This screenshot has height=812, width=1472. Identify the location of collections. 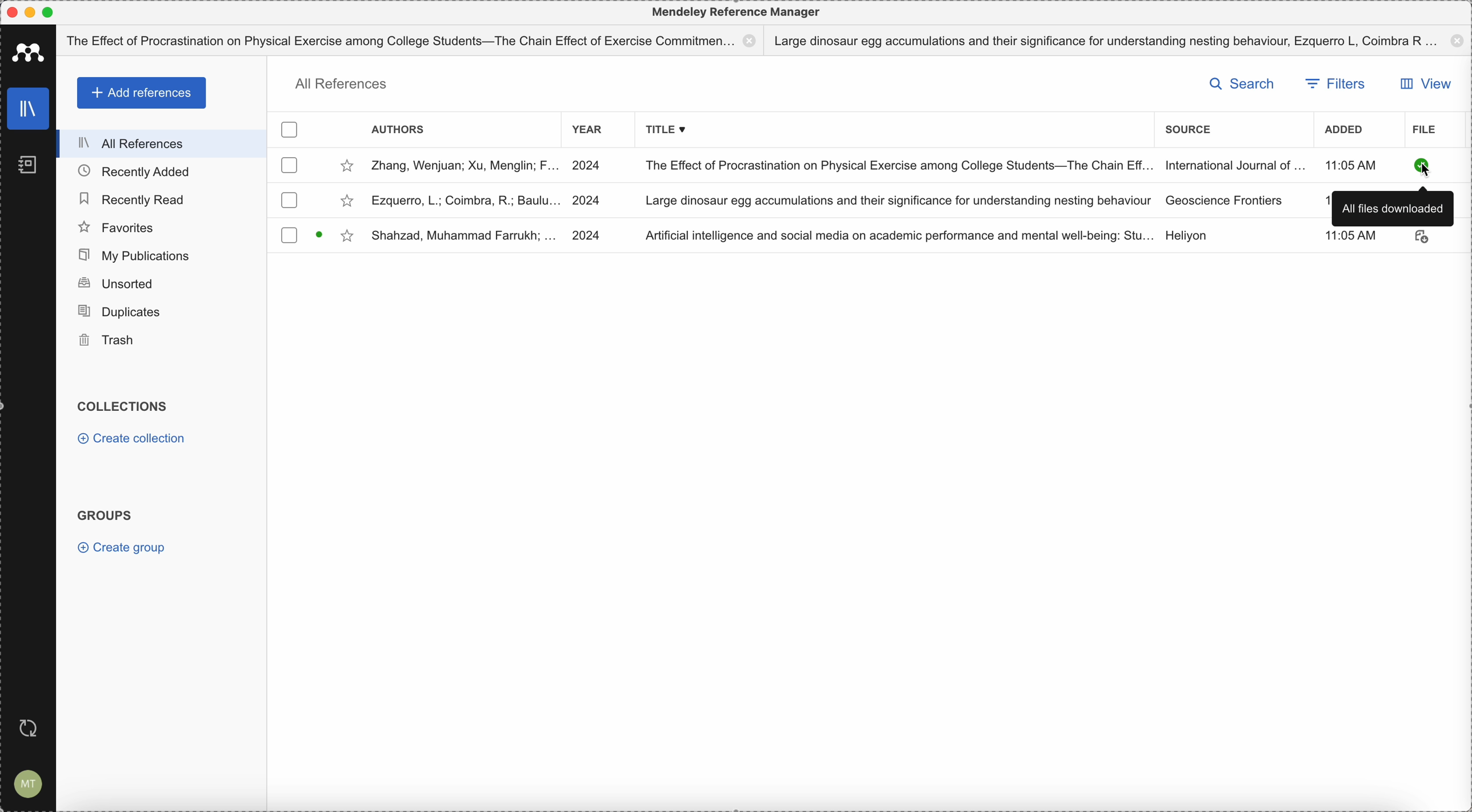
(122, 406).